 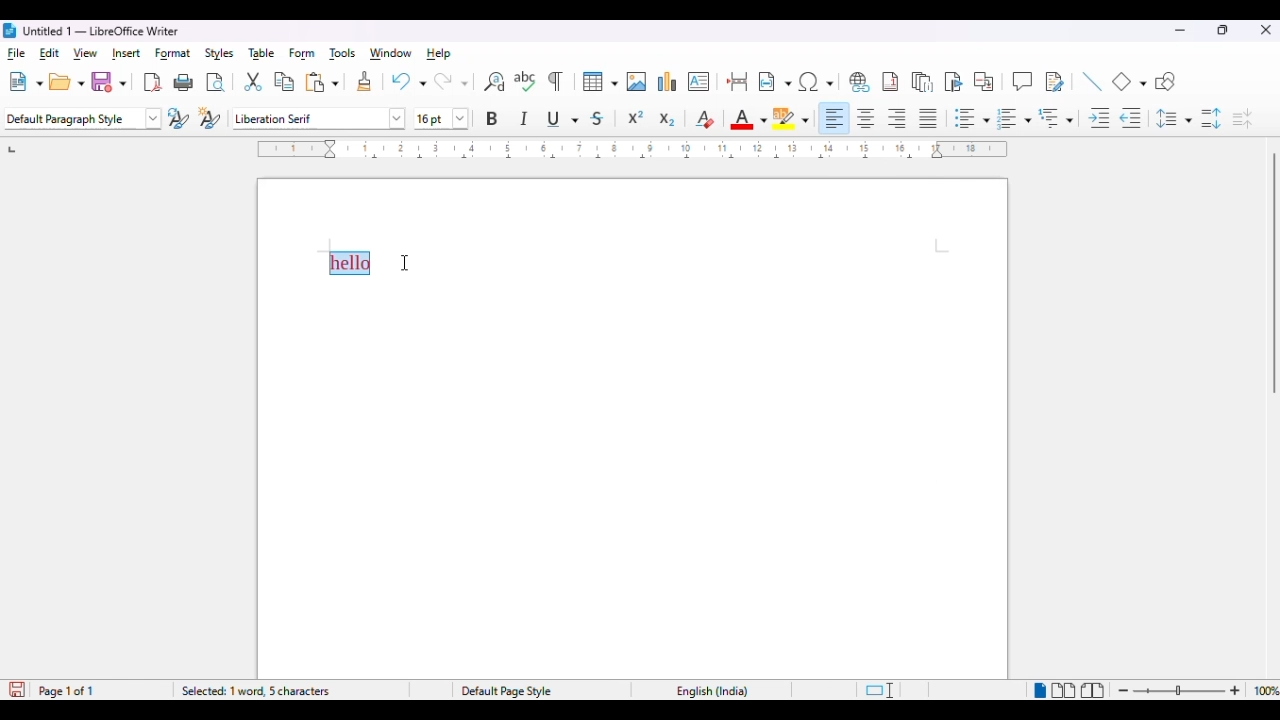 What do you see at coordinates (10, 30) in the screenshot?
I see `logo` at bounding box center [10, 30].